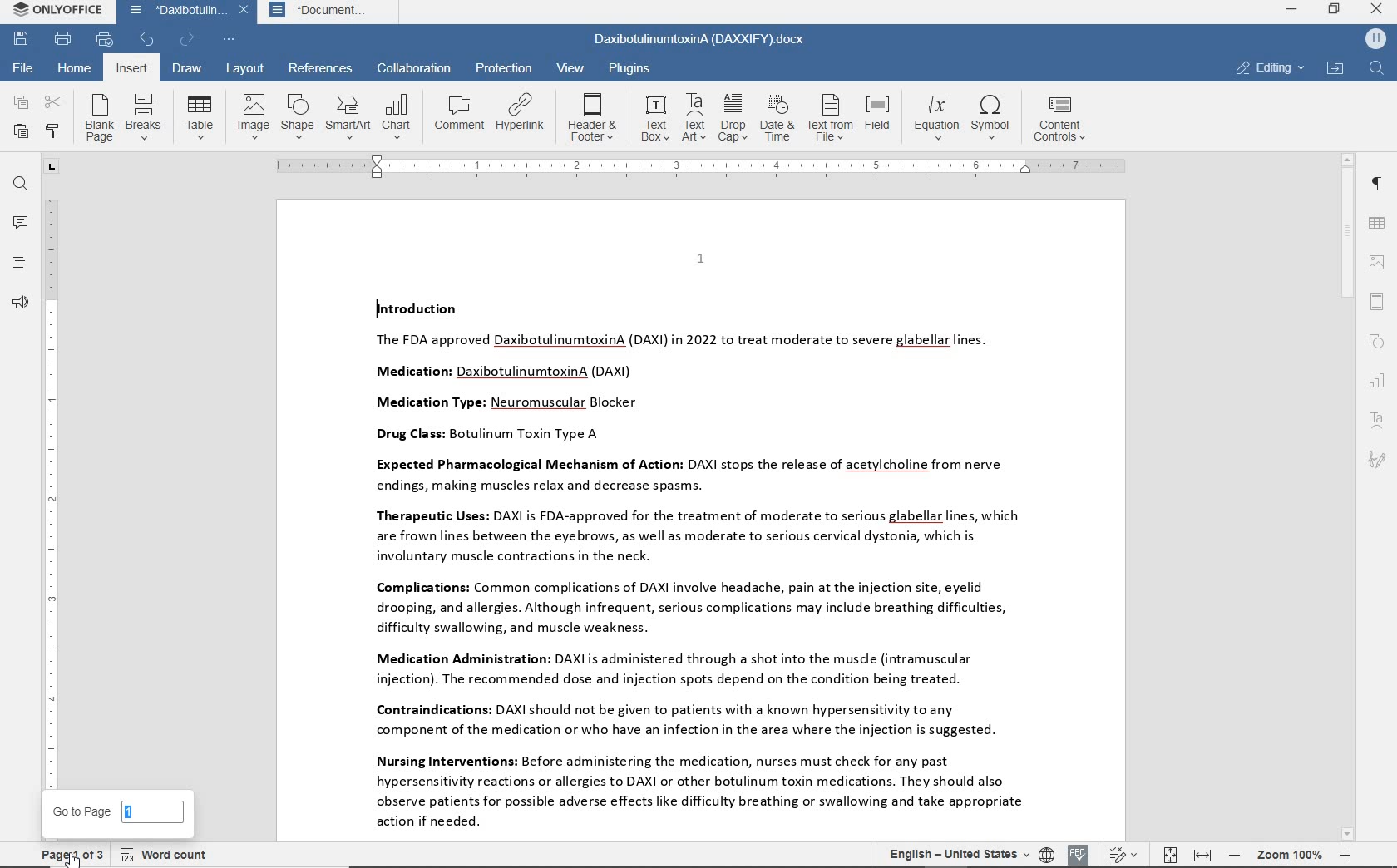 This screenshot has height=868, width=1397. What do you see at coordinates (296, 116) in the screenshot?
I see `shape` at bounding box center [296, 116].